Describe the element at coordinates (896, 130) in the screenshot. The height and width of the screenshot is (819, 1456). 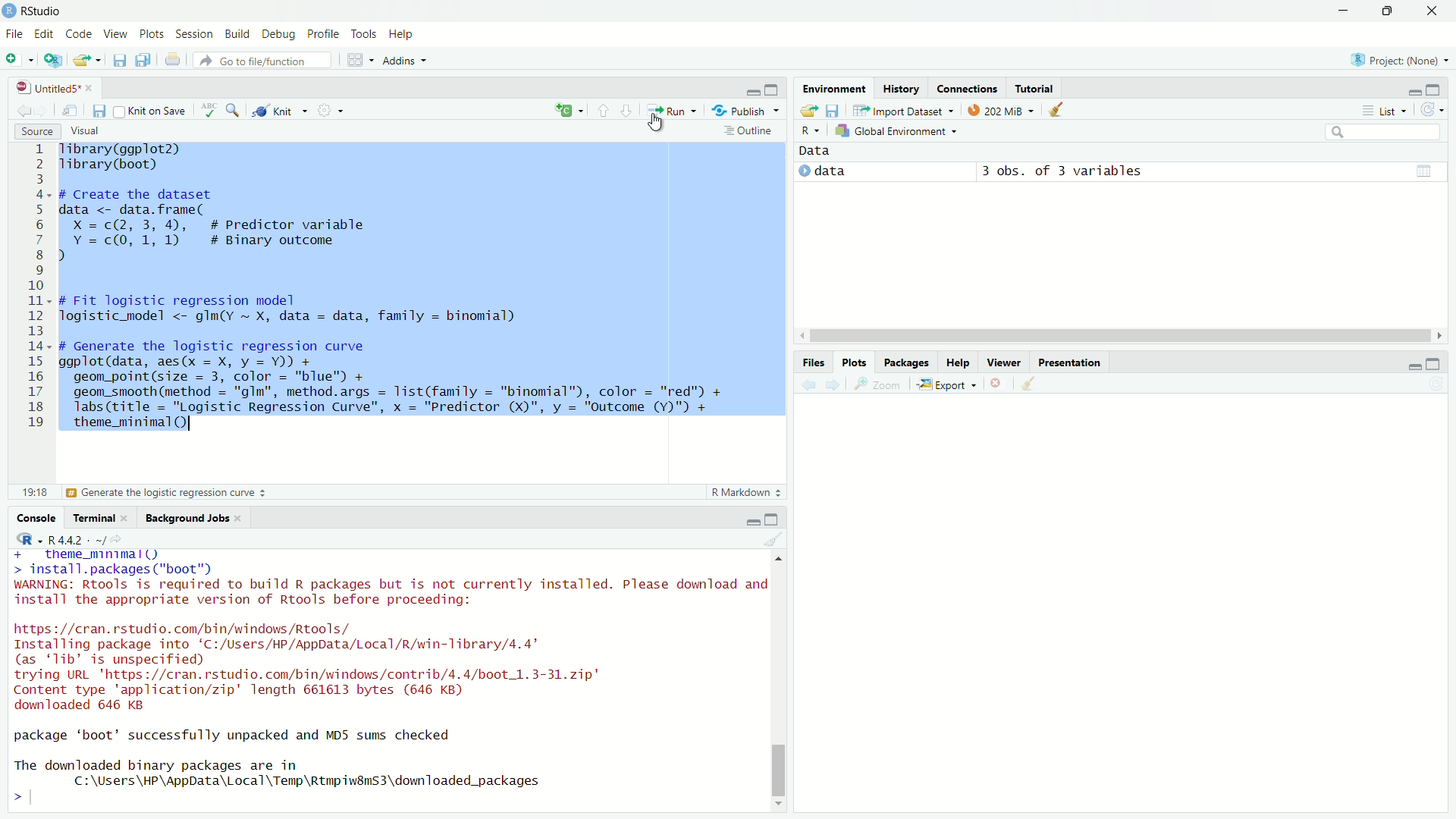
I see `Global Environment` at that location.